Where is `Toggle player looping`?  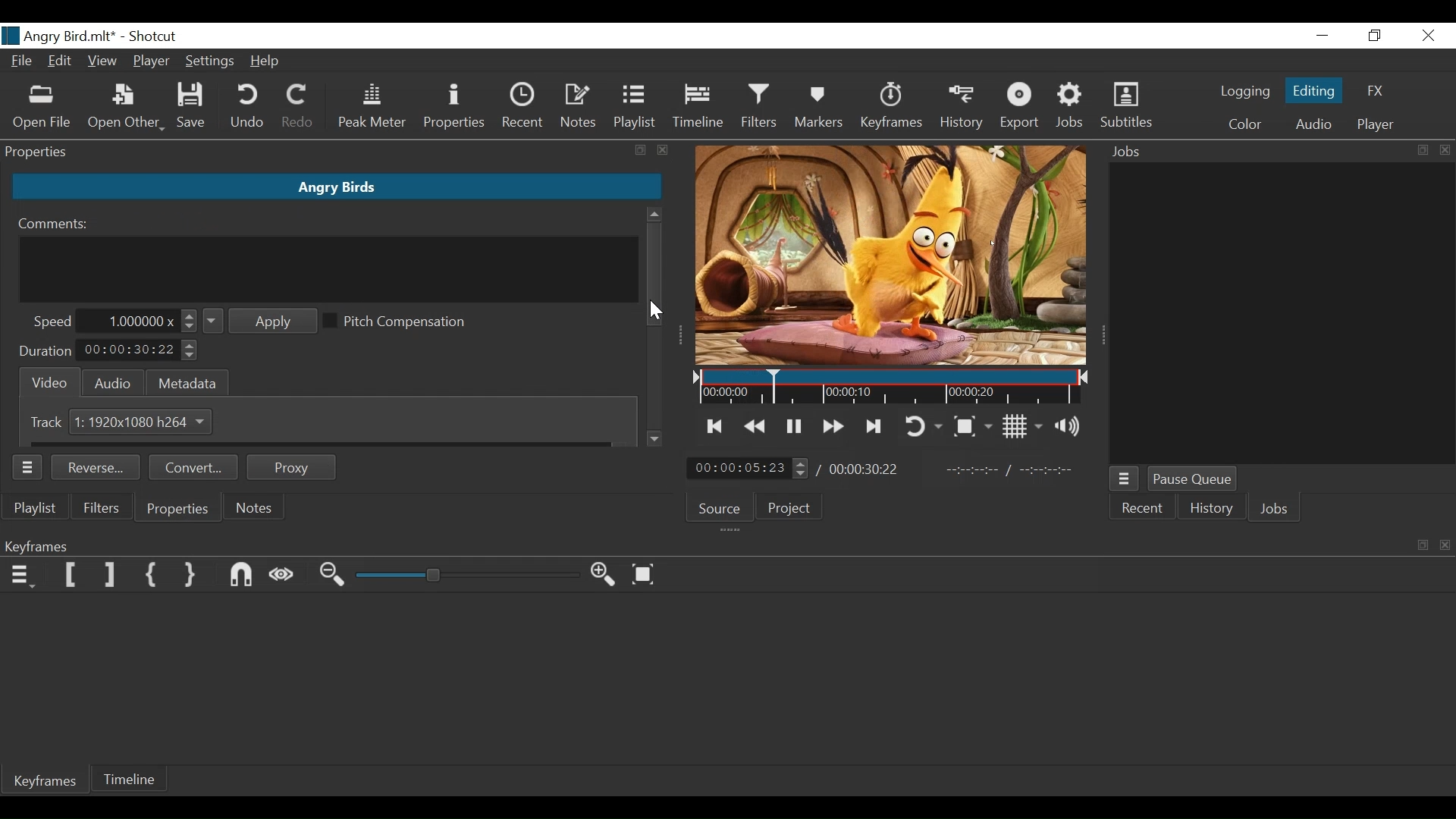 Toggle player looping is located at coordinates (926, 425).